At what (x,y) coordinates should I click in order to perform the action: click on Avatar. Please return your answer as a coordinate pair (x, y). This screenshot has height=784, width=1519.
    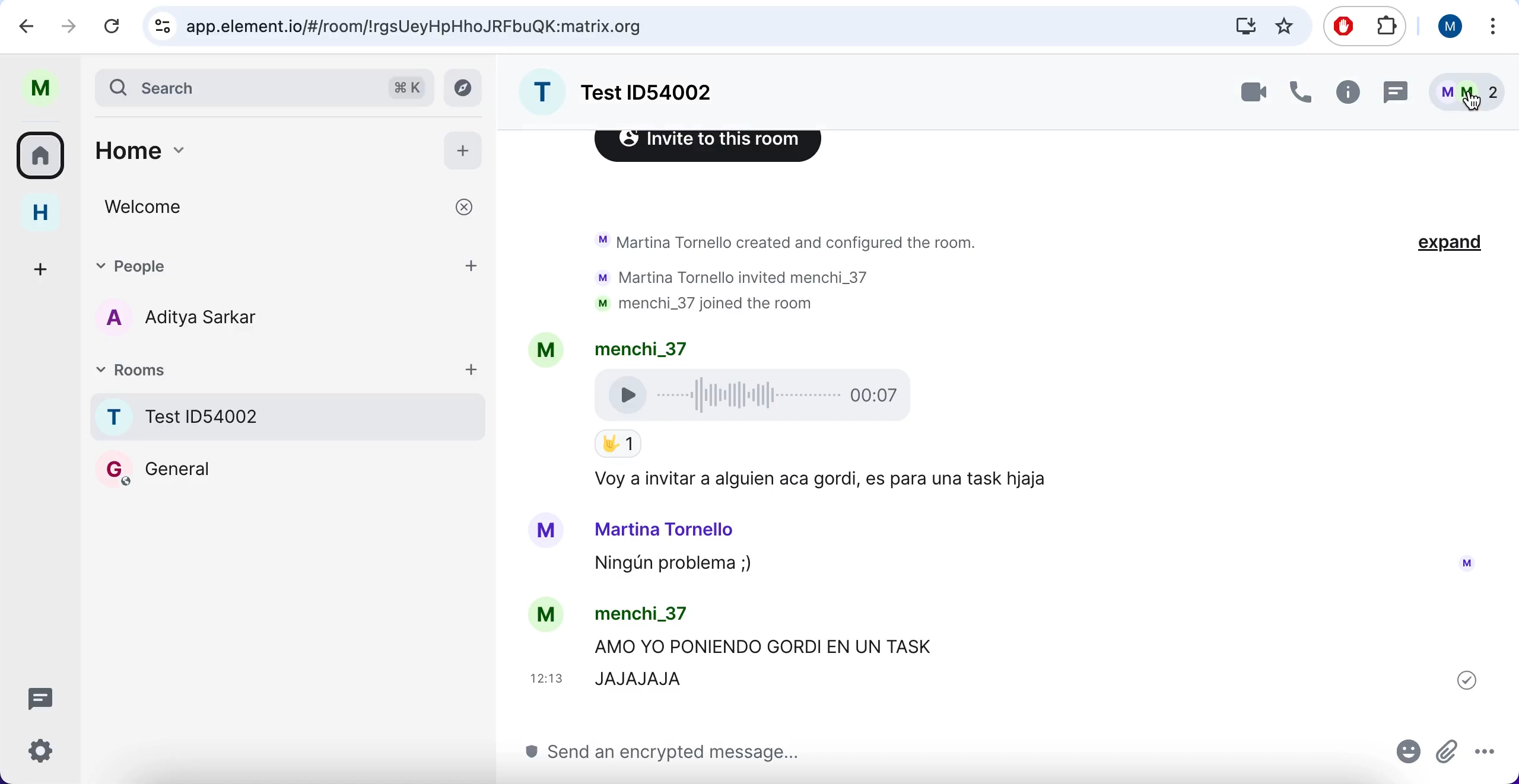
    Looking at the image, I should click on (543, 352).